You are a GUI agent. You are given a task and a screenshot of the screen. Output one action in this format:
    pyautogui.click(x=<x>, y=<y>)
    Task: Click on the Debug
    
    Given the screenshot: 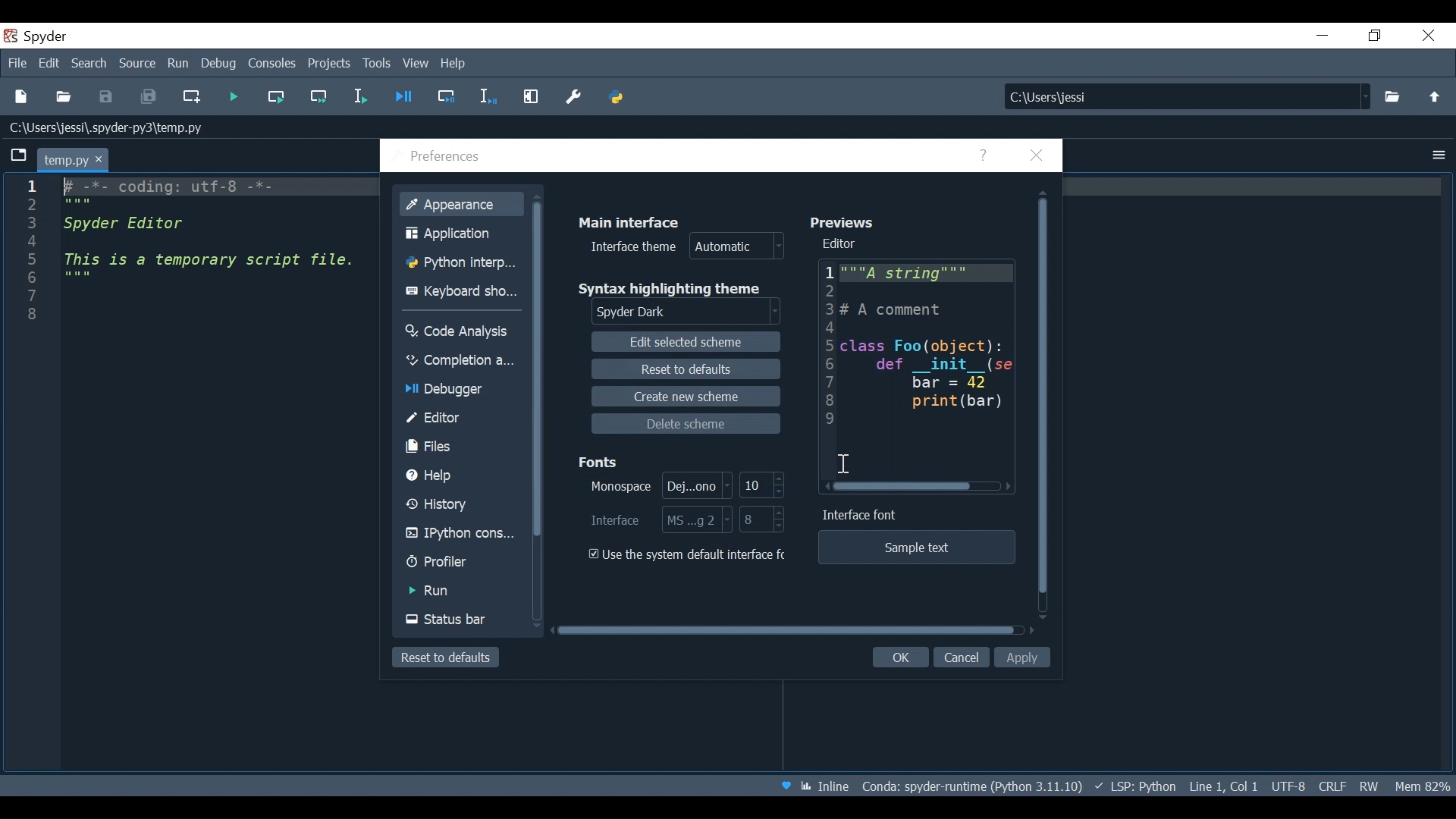 What is the action you would take?
    pyautogui.click(x=220, y=64)
    